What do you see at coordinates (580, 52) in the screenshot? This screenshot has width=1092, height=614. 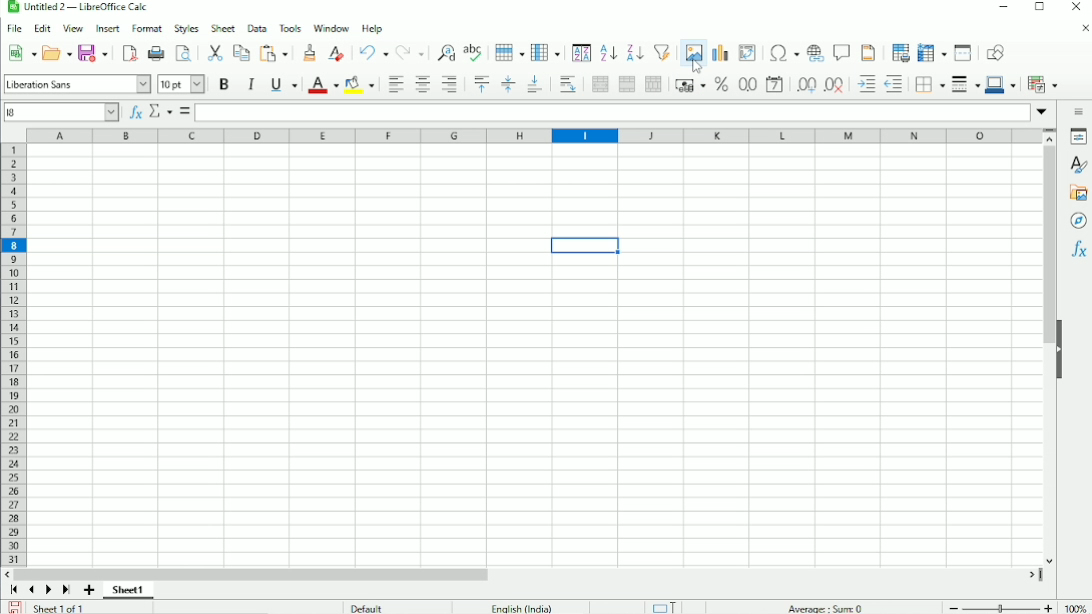 I see `Sort` at bounding box center [580, 52].